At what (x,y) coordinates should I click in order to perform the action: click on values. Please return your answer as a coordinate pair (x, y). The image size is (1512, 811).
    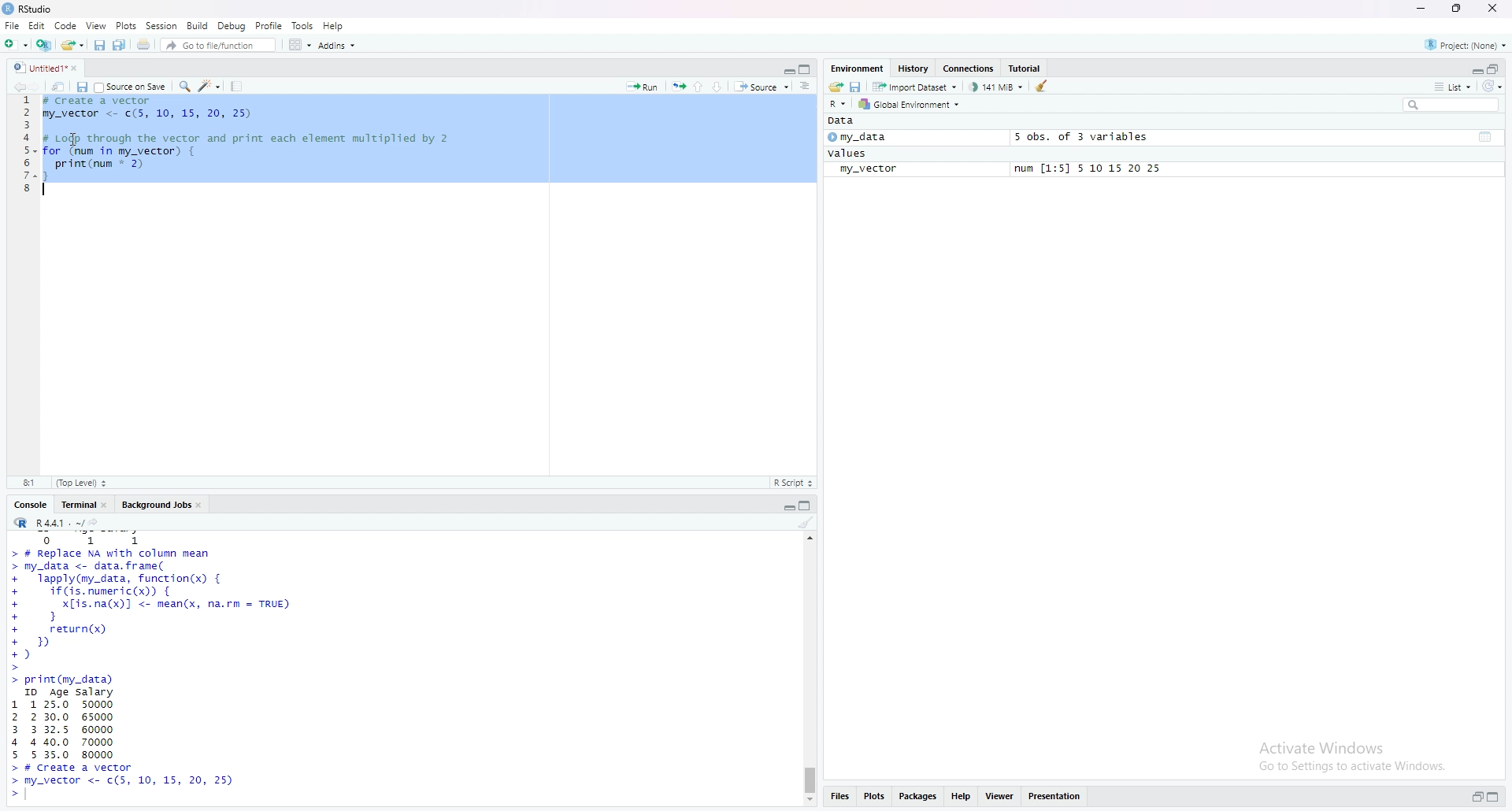
    Looking at the image, I should click on (850, 154).